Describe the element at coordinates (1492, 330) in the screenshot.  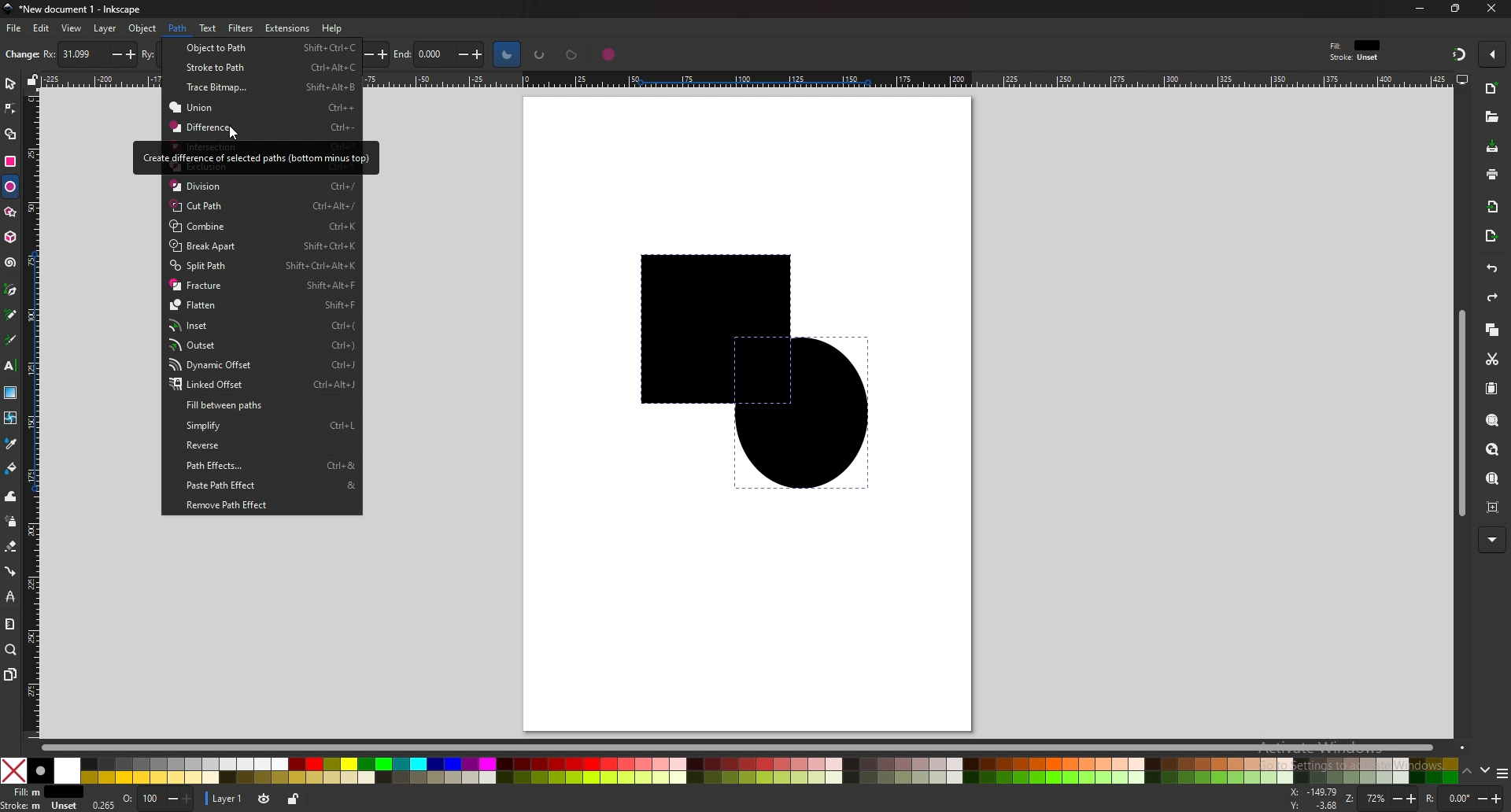
I see `copy` at that location.